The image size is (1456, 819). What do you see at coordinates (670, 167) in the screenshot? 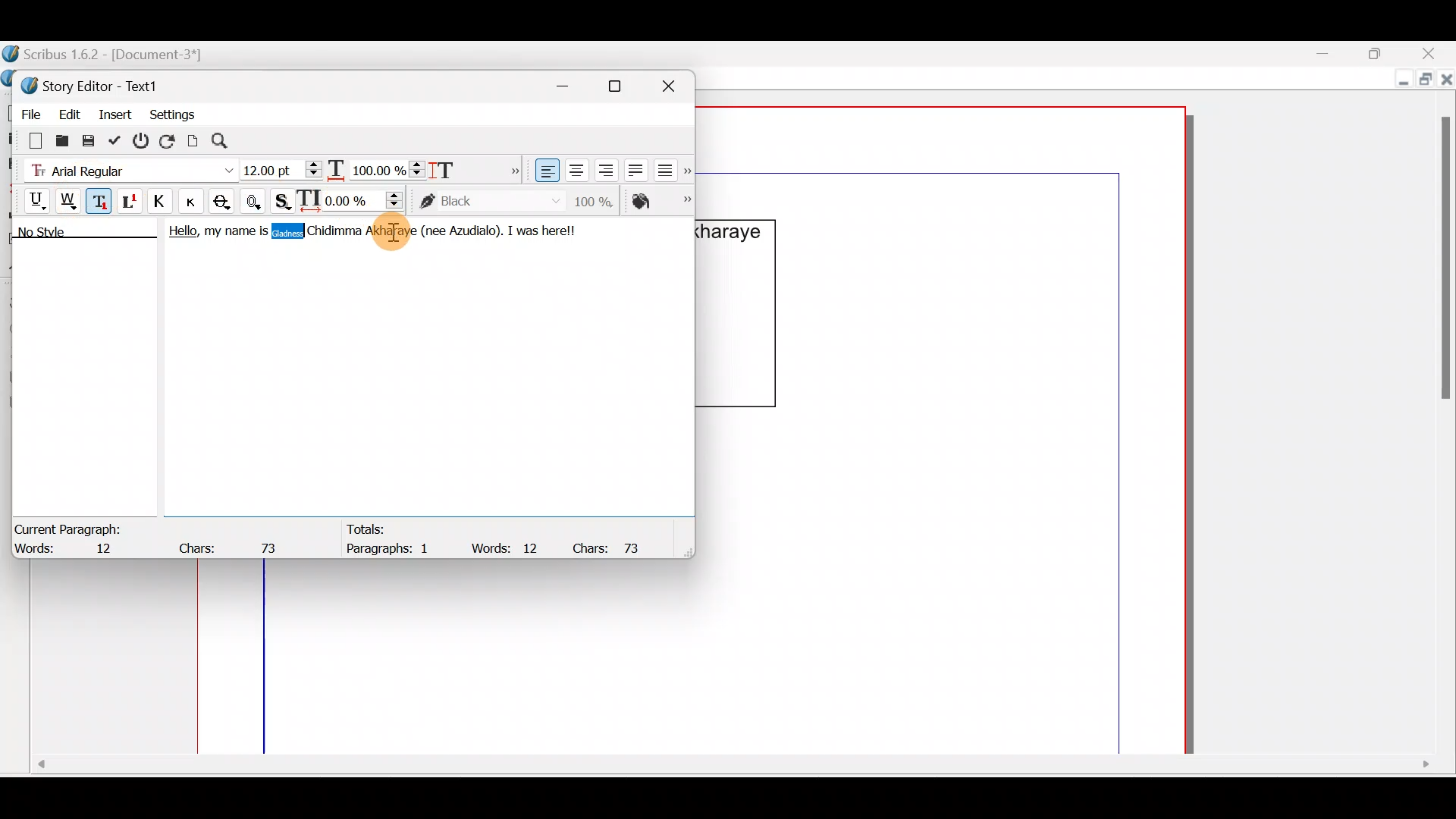
I see `Align text force justified` at bounding box center [670, 167].